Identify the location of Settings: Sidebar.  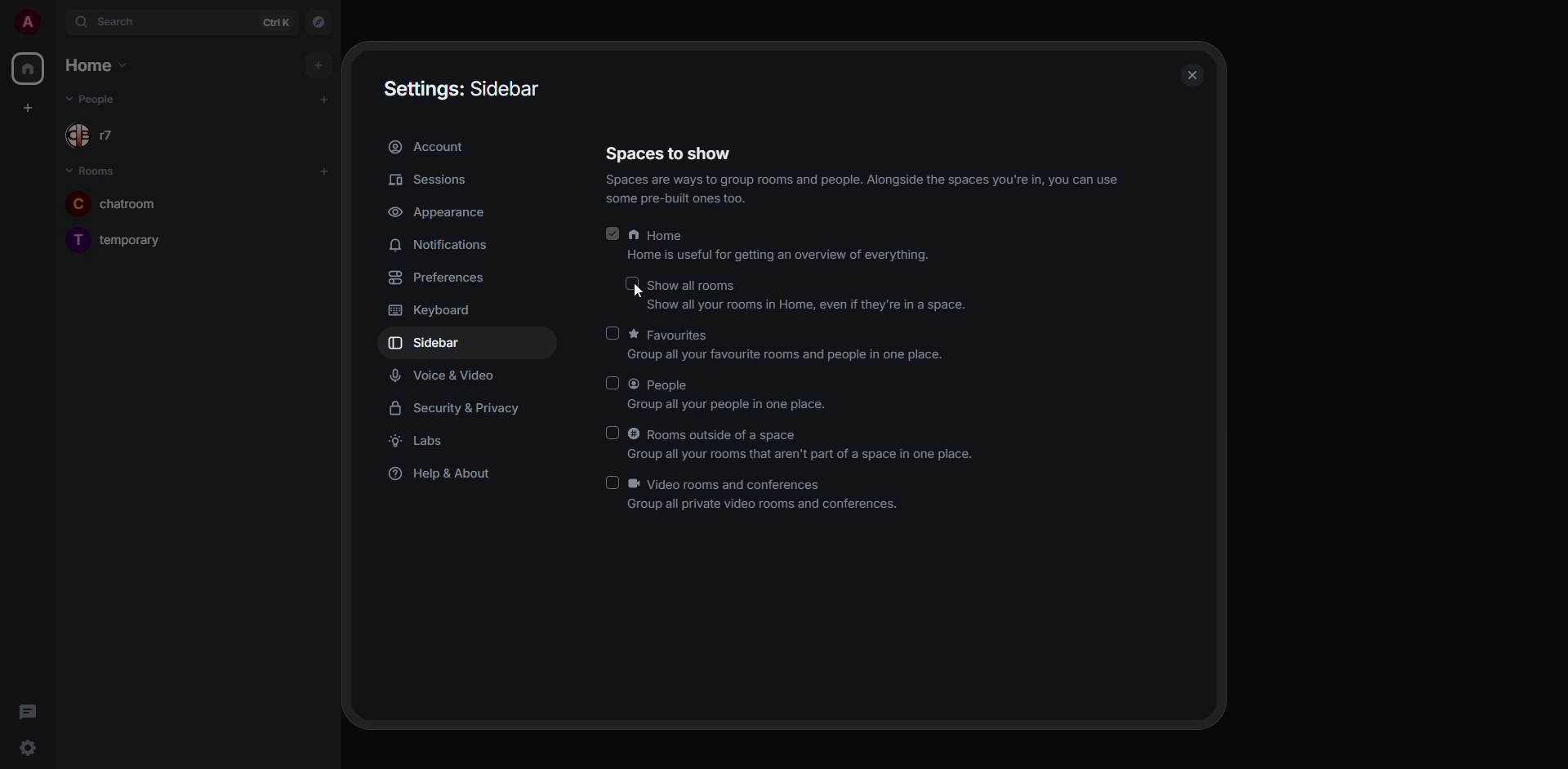
(465, 89).